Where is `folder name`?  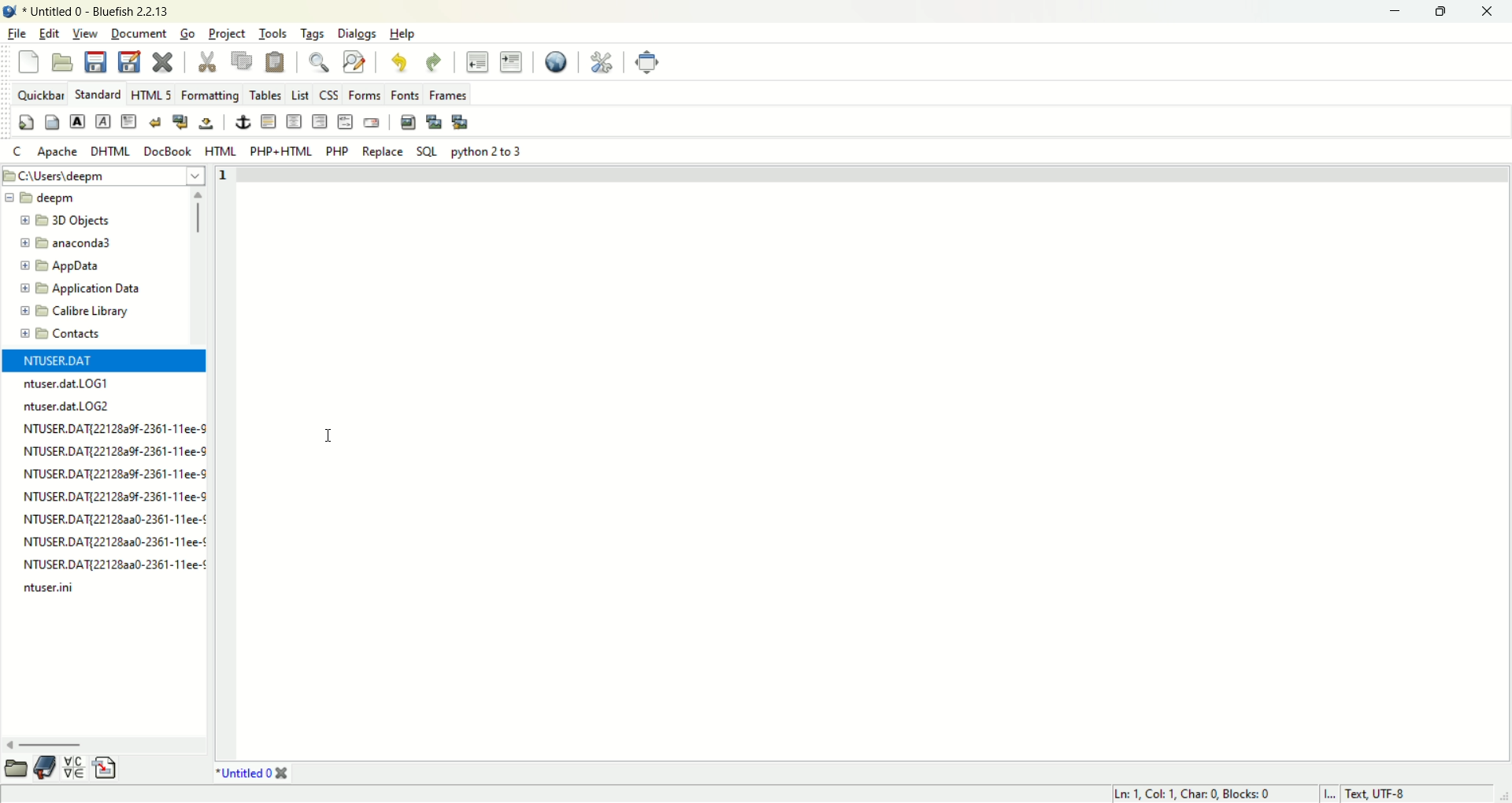 folder name is located at coordinates (80, 309).